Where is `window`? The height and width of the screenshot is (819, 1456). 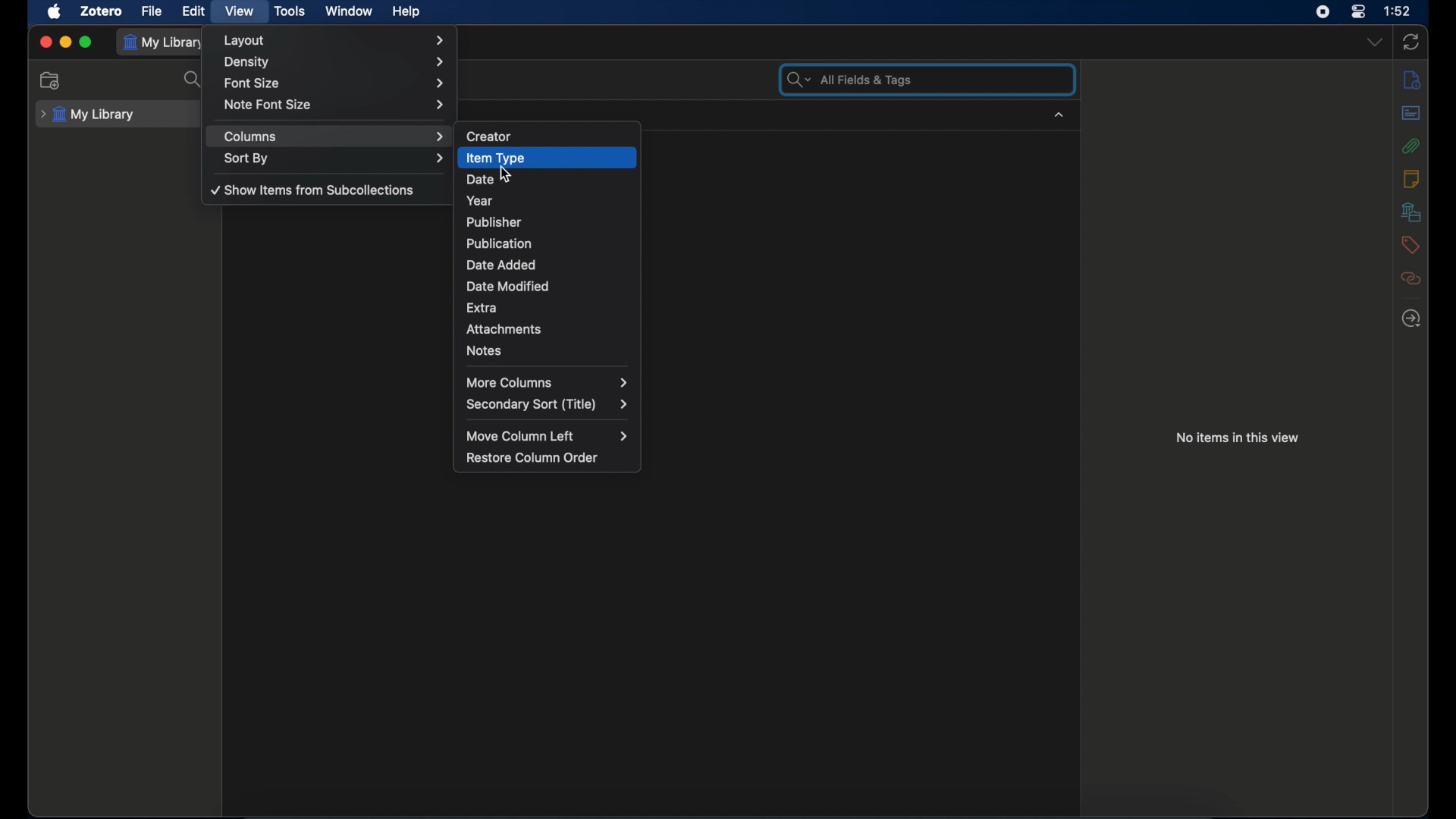
window is located at coordinates (350, 12).